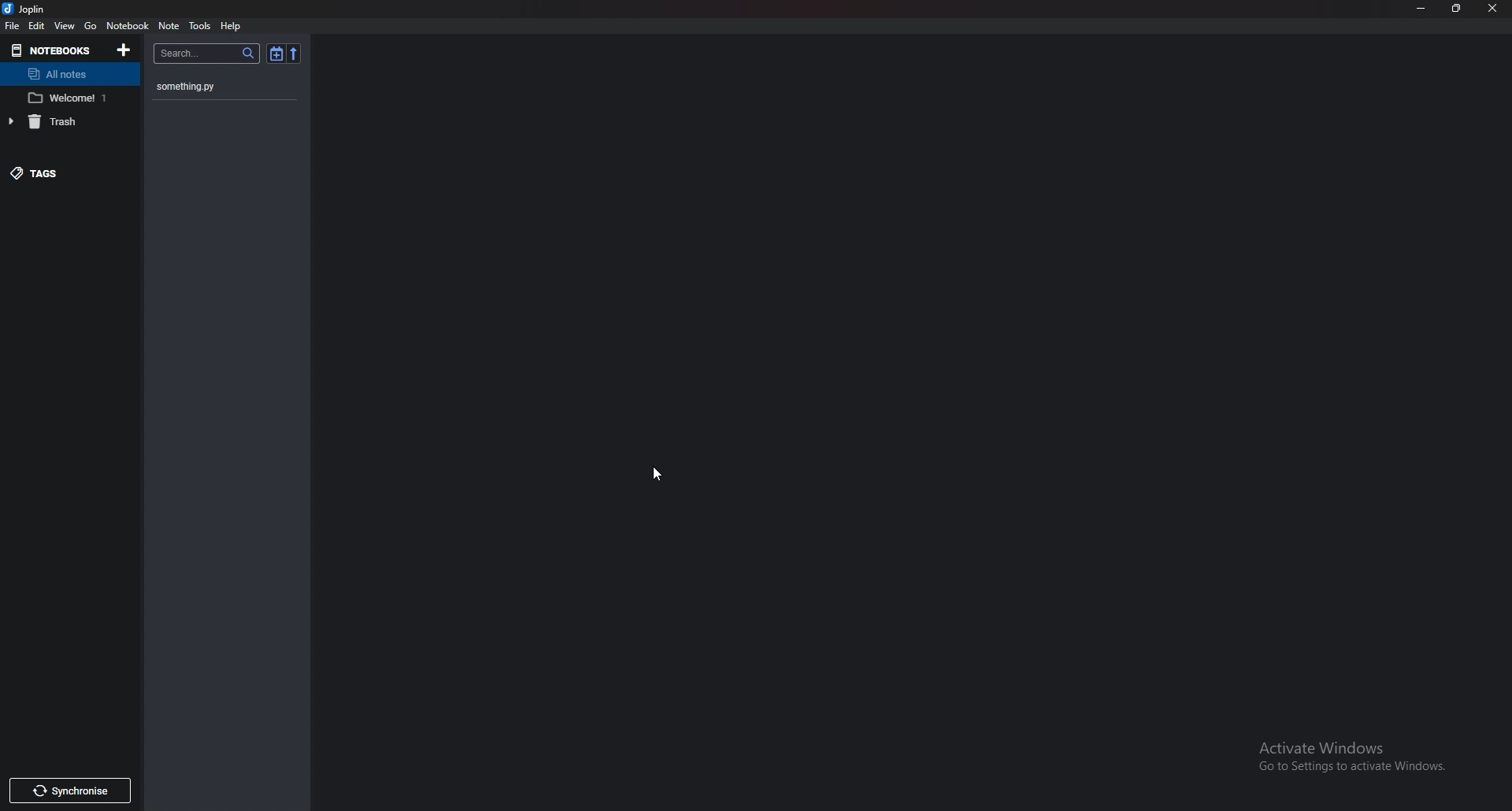 The image size is (1512, 811). I want to click on Edit, so click(36, 25).